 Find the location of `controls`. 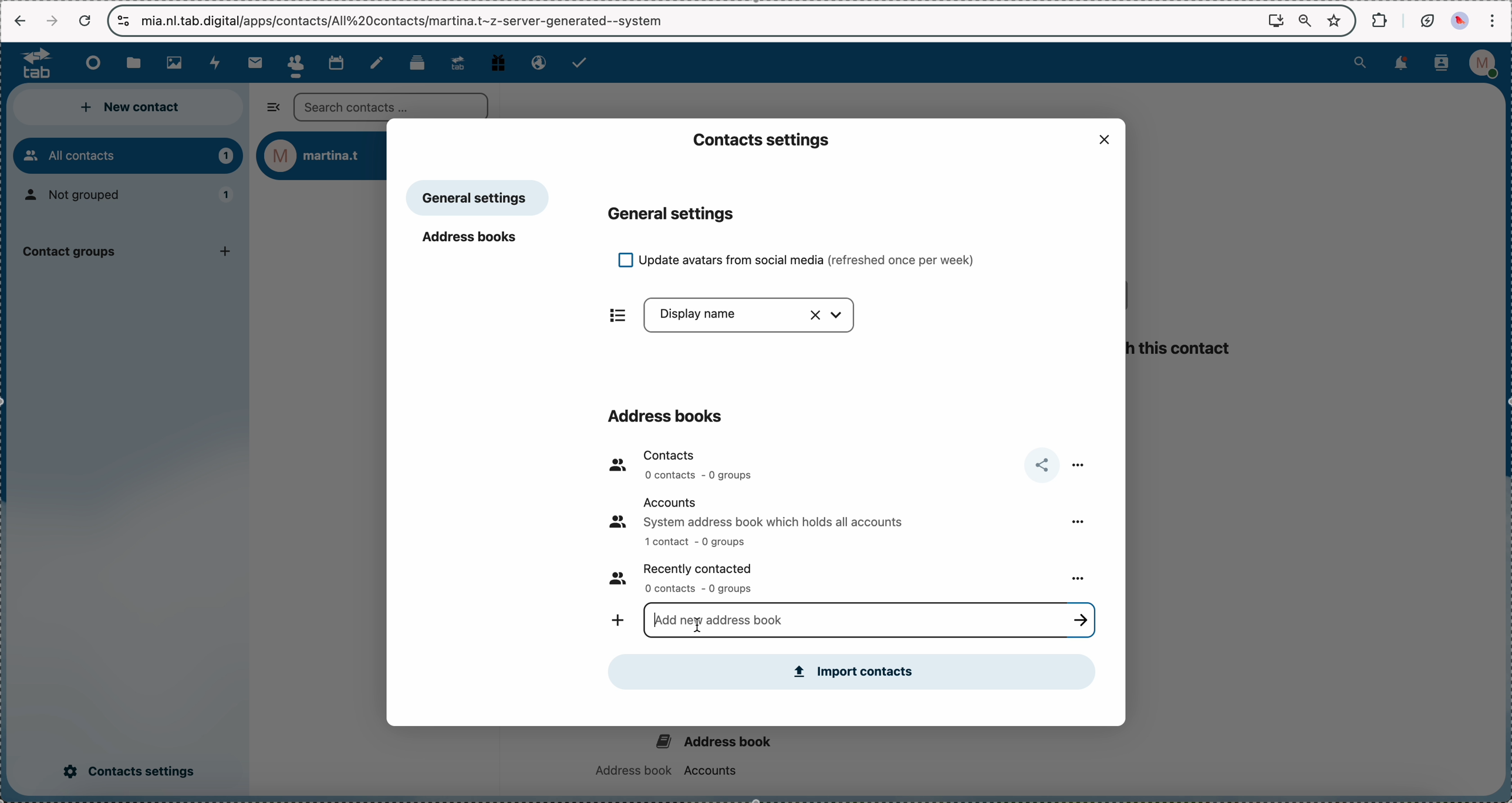

controls is located at coordinates (122, 19).